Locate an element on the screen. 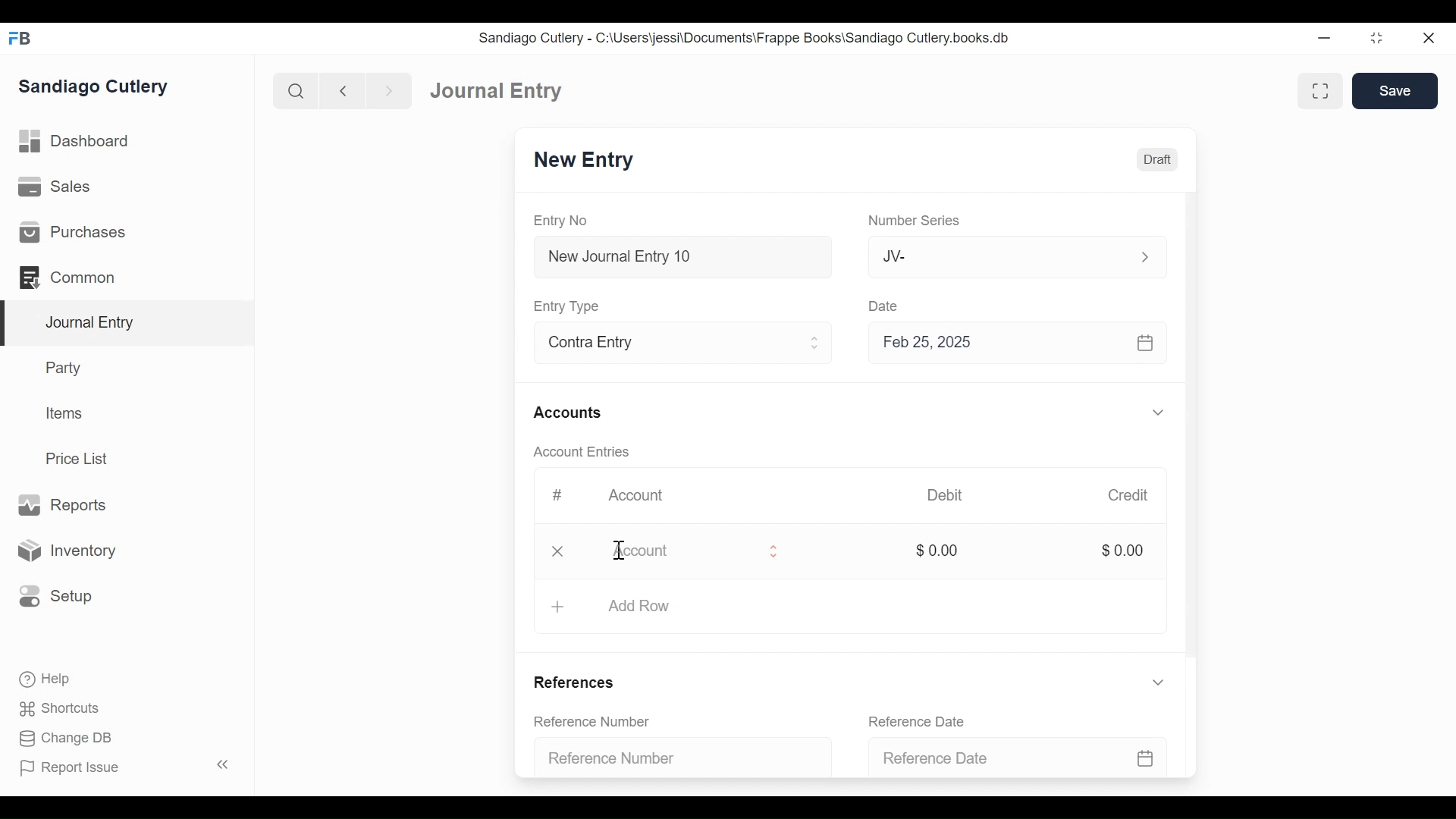 This screenshot has height=819, width=1456. JV- is located at coordinates (998, 256).